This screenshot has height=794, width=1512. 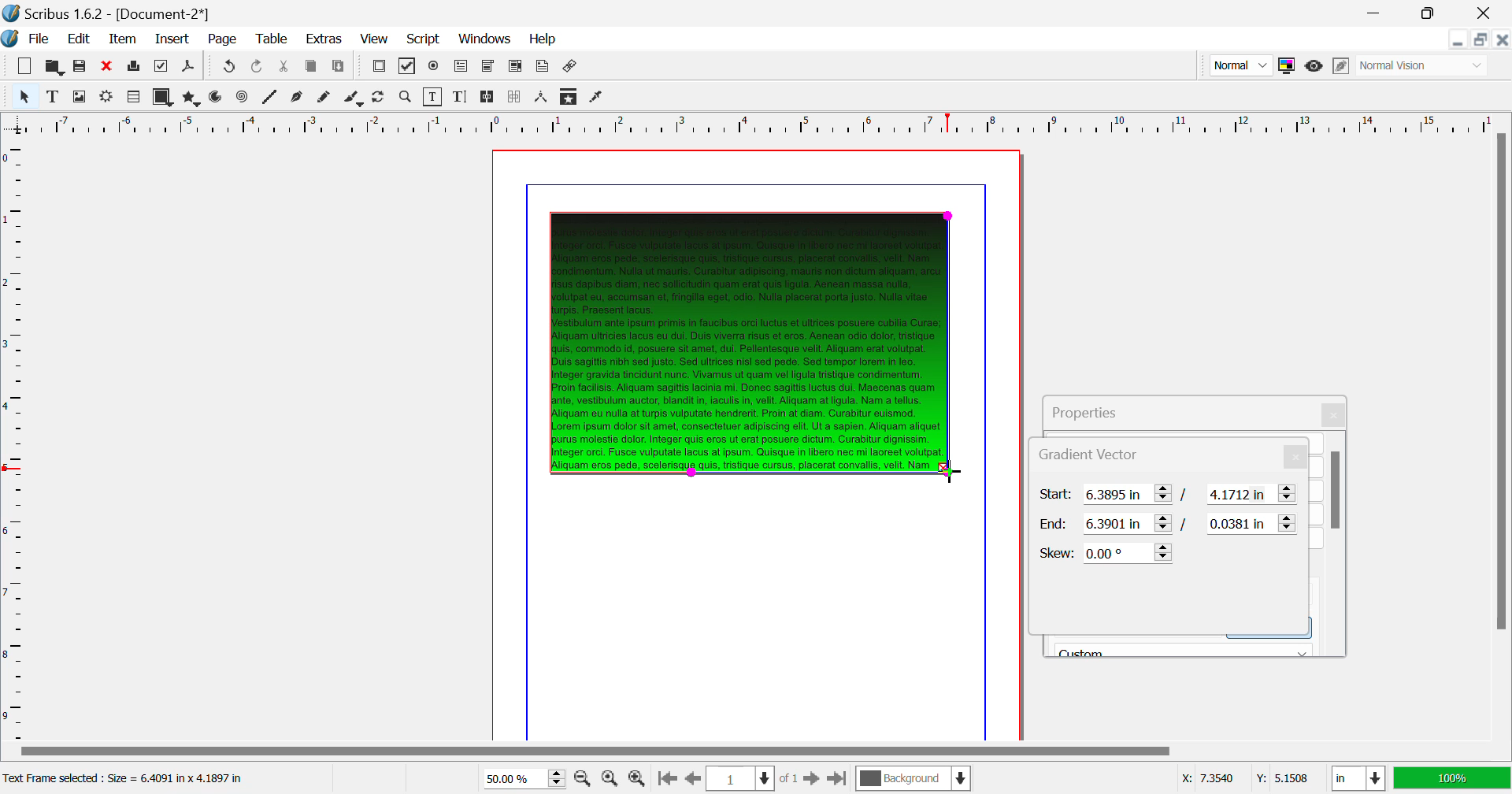 I want to click on Background, so click(x=913, y=780).